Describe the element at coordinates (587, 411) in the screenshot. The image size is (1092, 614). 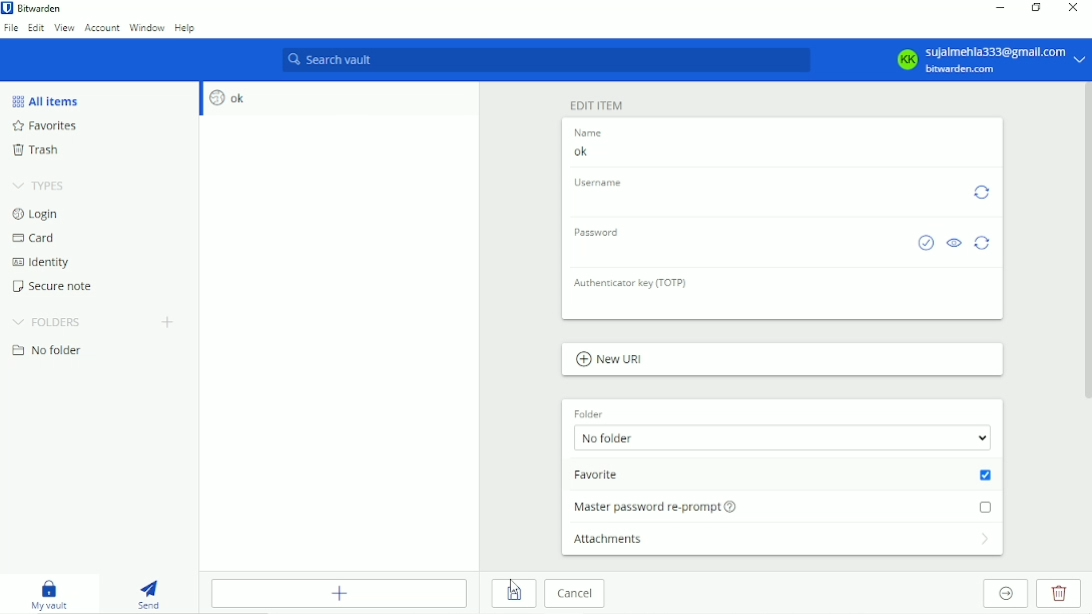
I see `Folder` at that location.